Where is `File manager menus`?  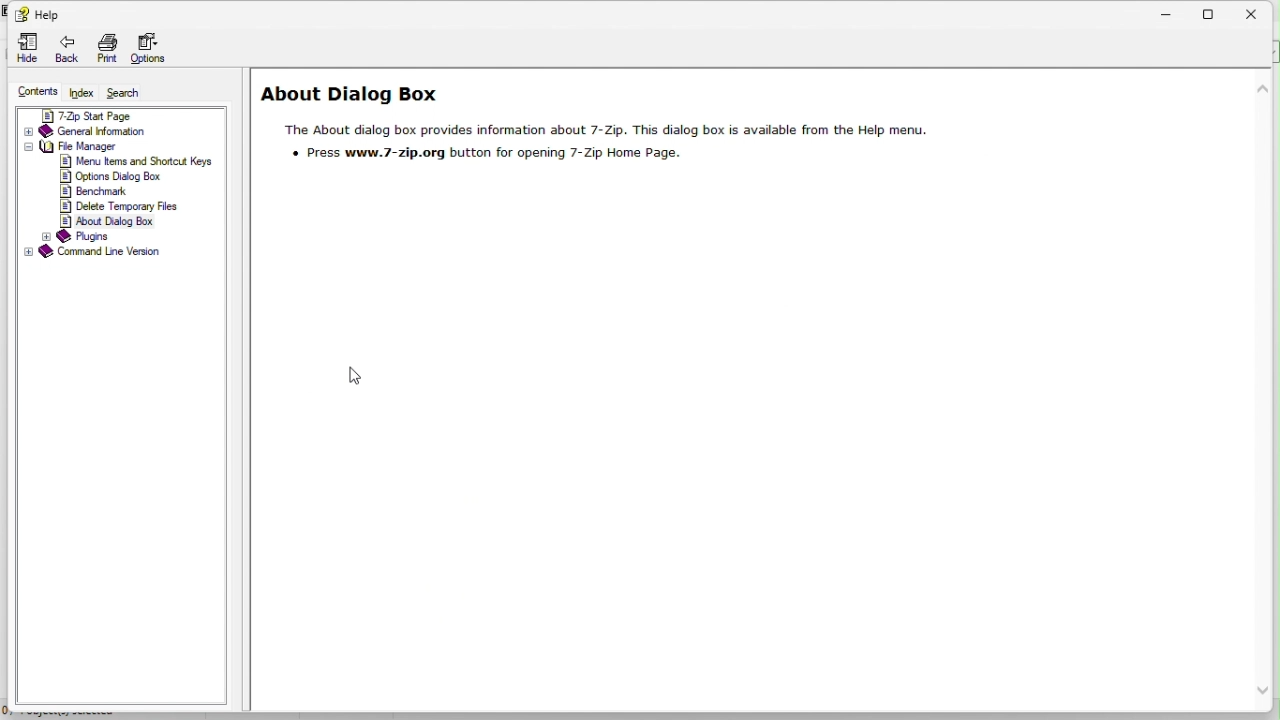
File manager menus is located at coordinates (81, 146).